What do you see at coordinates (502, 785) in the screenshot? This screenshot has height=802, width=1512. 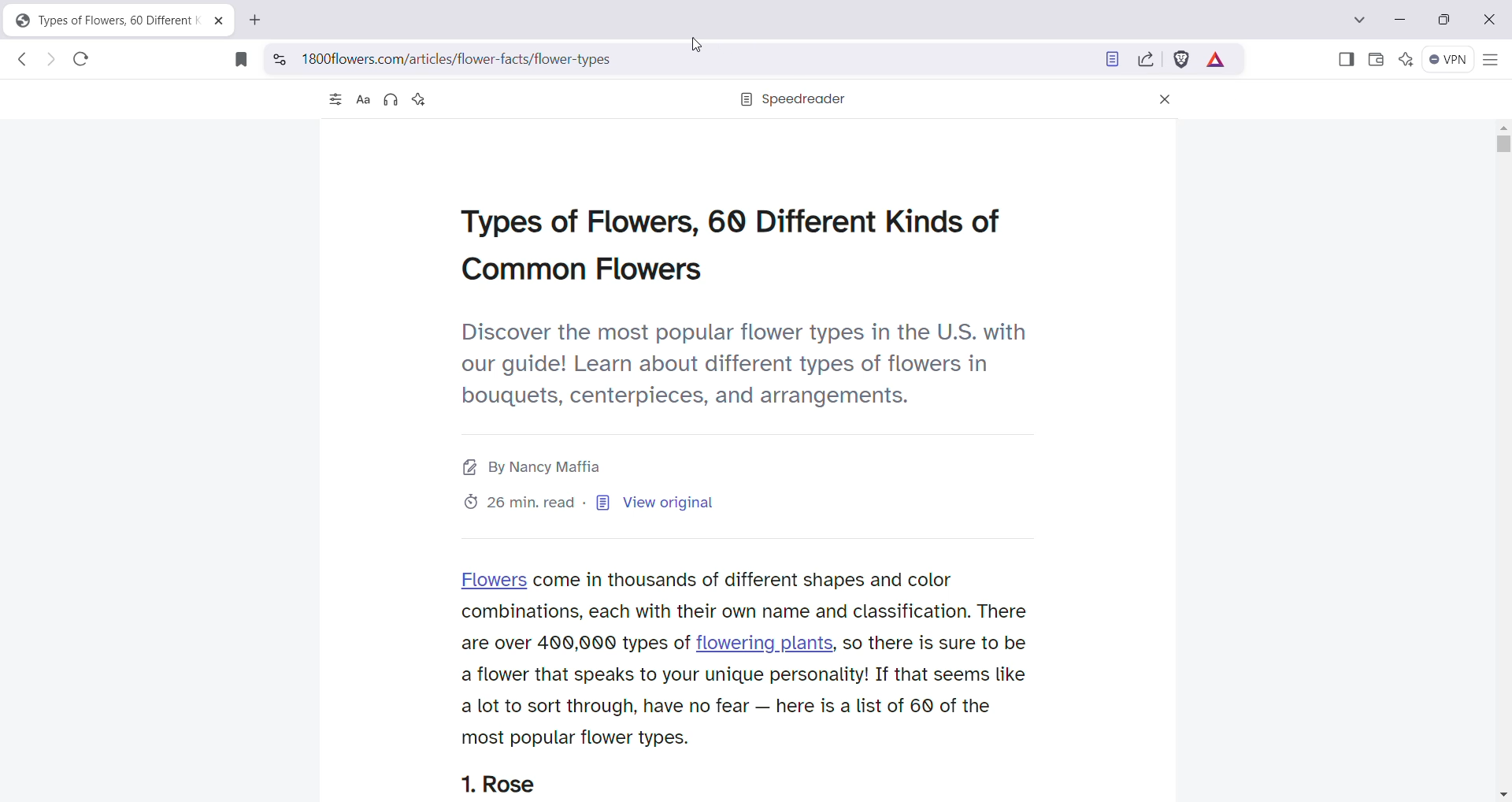 I see `1. Rose` at bounding box center [502, 785].